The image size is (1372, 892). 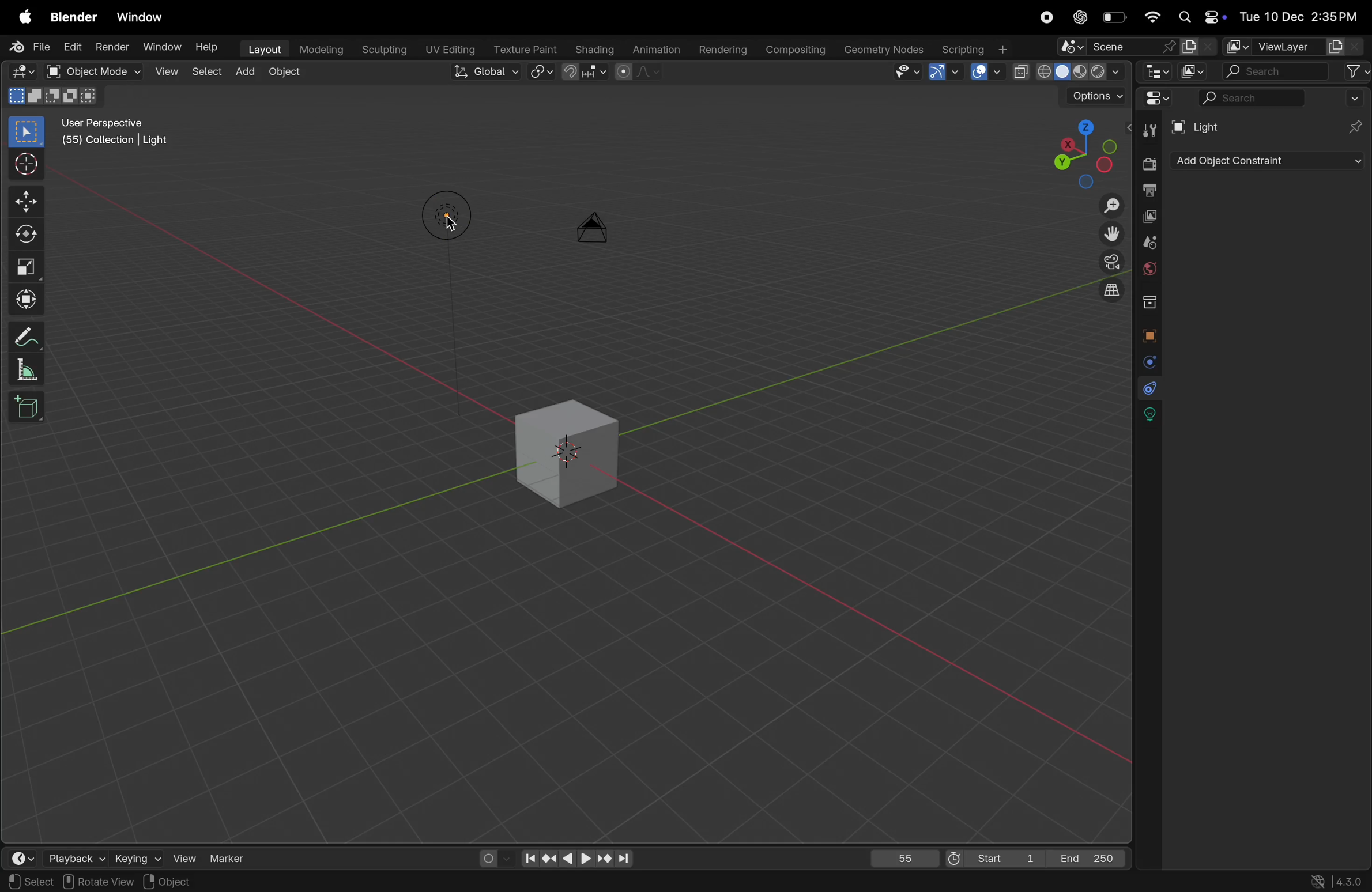 What do you see at coordinates (25, 202) in the screenshot?
I see `move` at bounding box center [25, 202].